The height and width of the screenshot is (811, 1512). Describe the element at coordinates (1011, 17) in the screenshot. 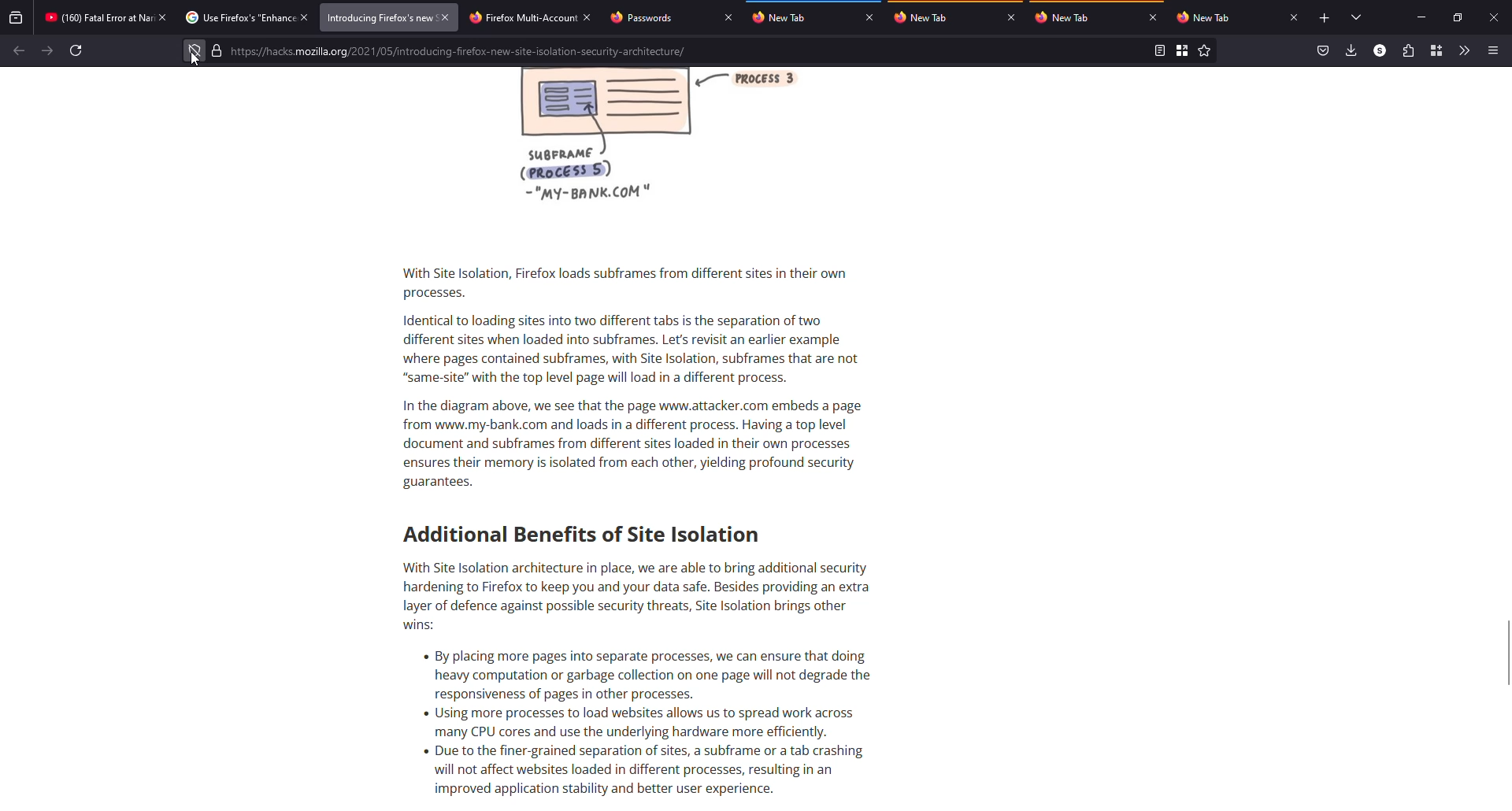

I see `close` at that location.